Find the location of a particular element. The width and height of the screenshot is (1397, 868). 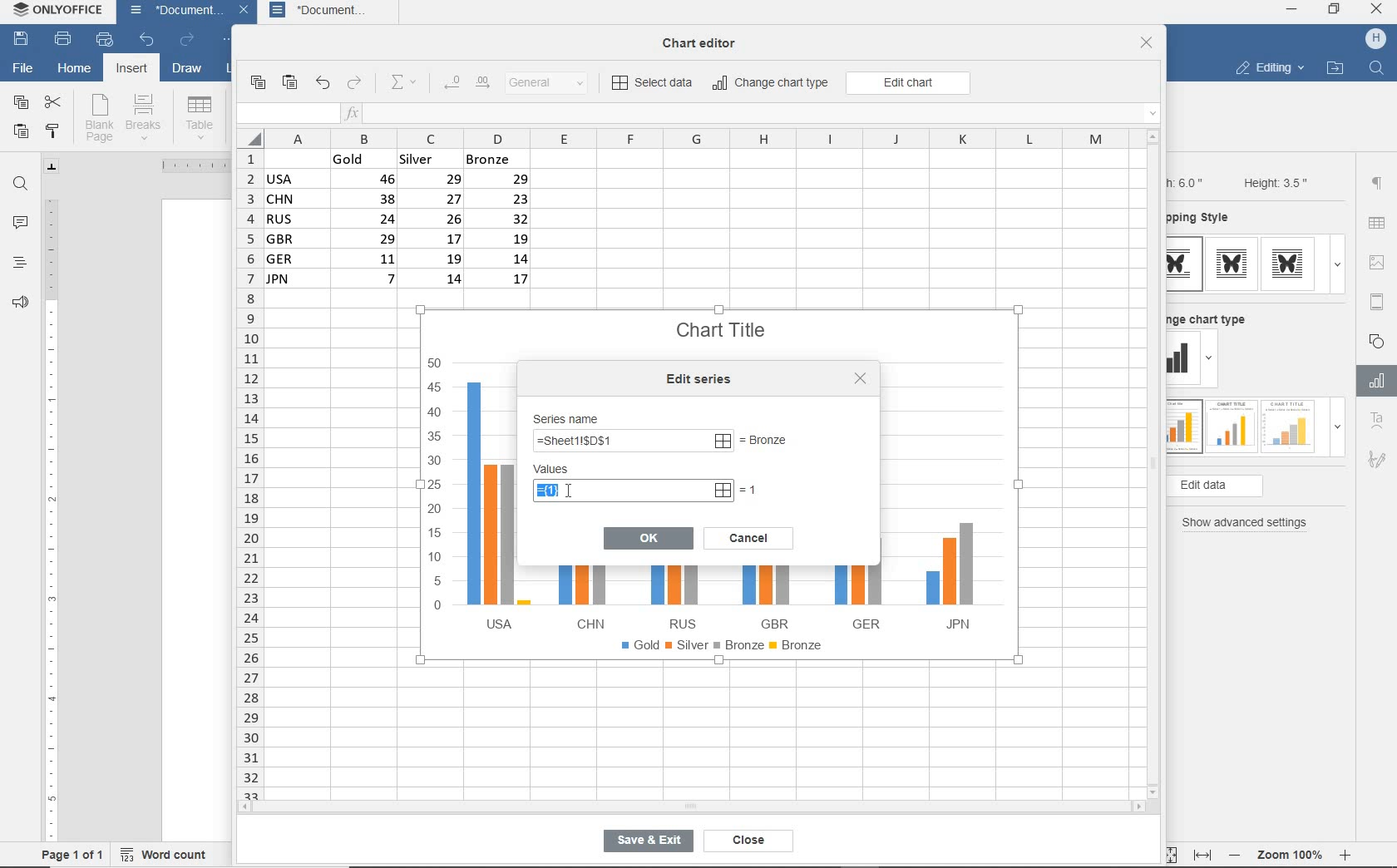

word count is located at coordinates (169, 852).